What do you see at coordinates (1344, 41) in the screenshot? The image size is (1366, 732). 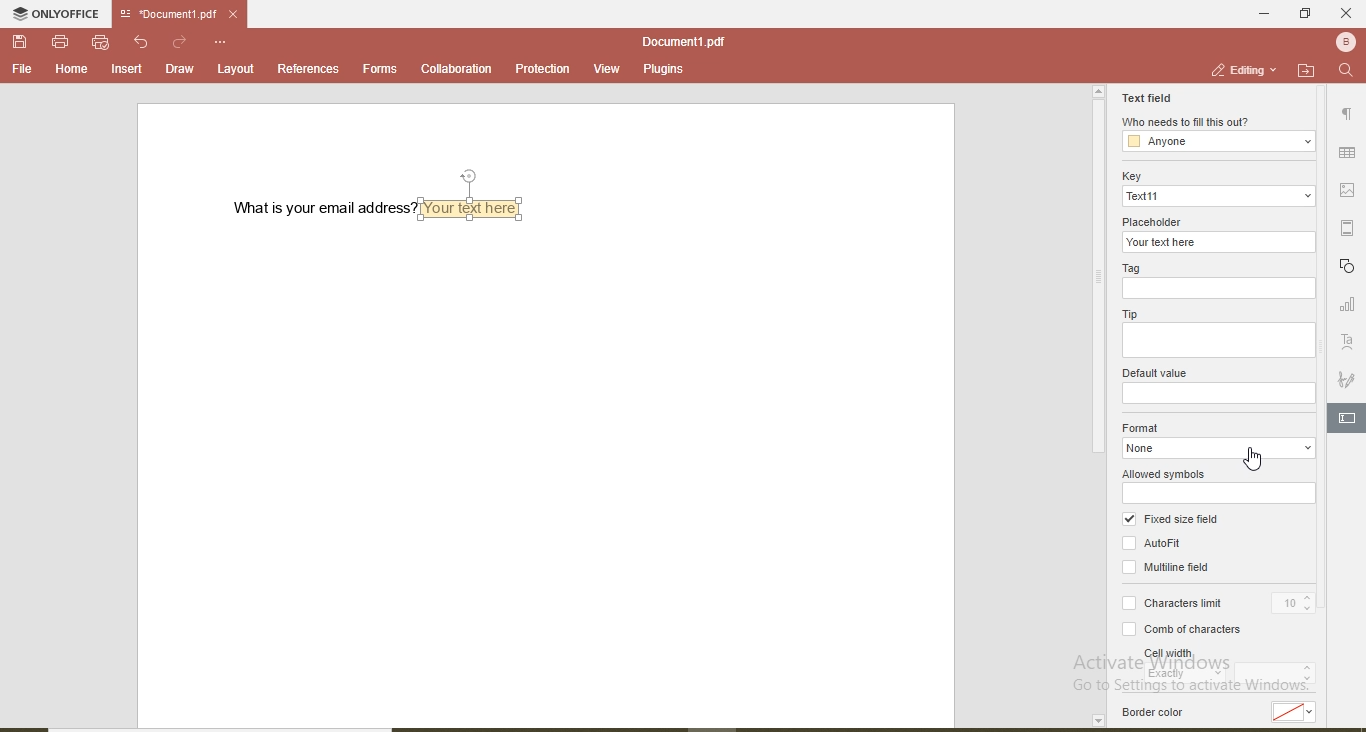 I see `user` at bounding box center [1344, 41].